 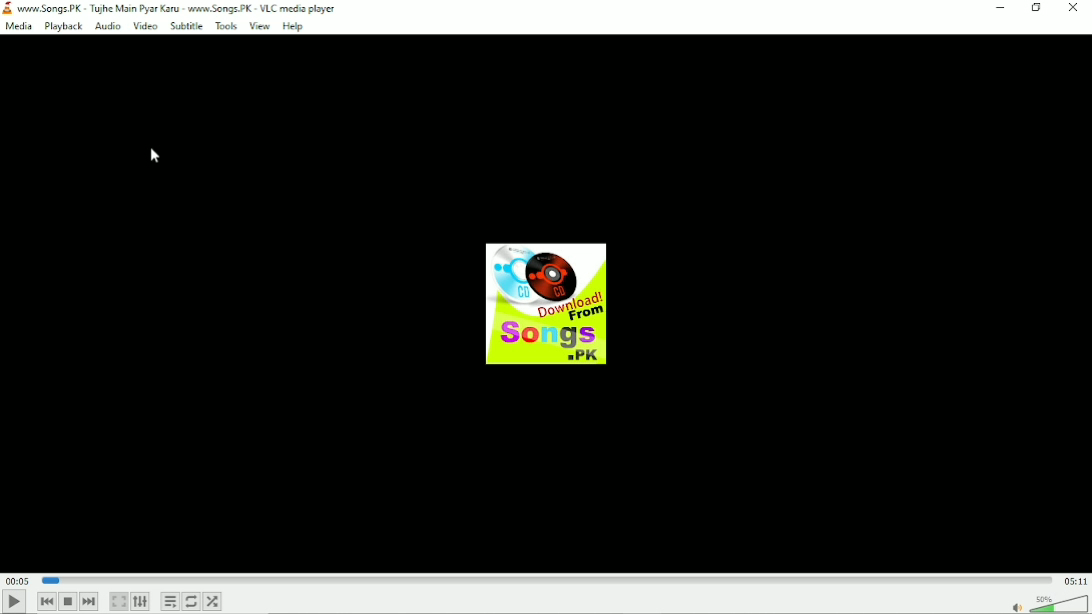 I want to click on www.songs PK - Tuhe Man Pyar Karu - www. Songs FE - VLC med player, so click(x=184, y=8).